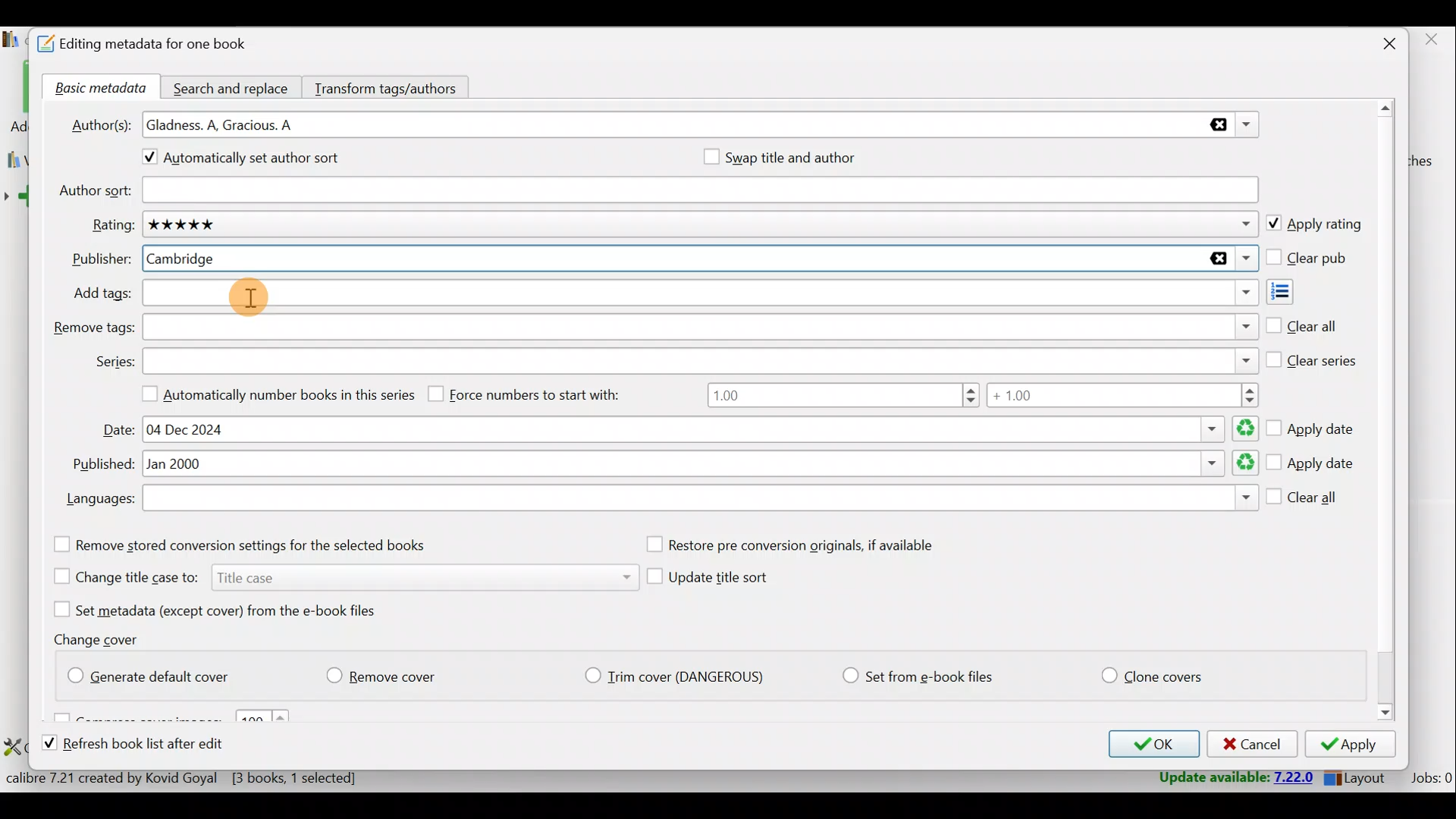  I want to click on Published, so click(701, 465).